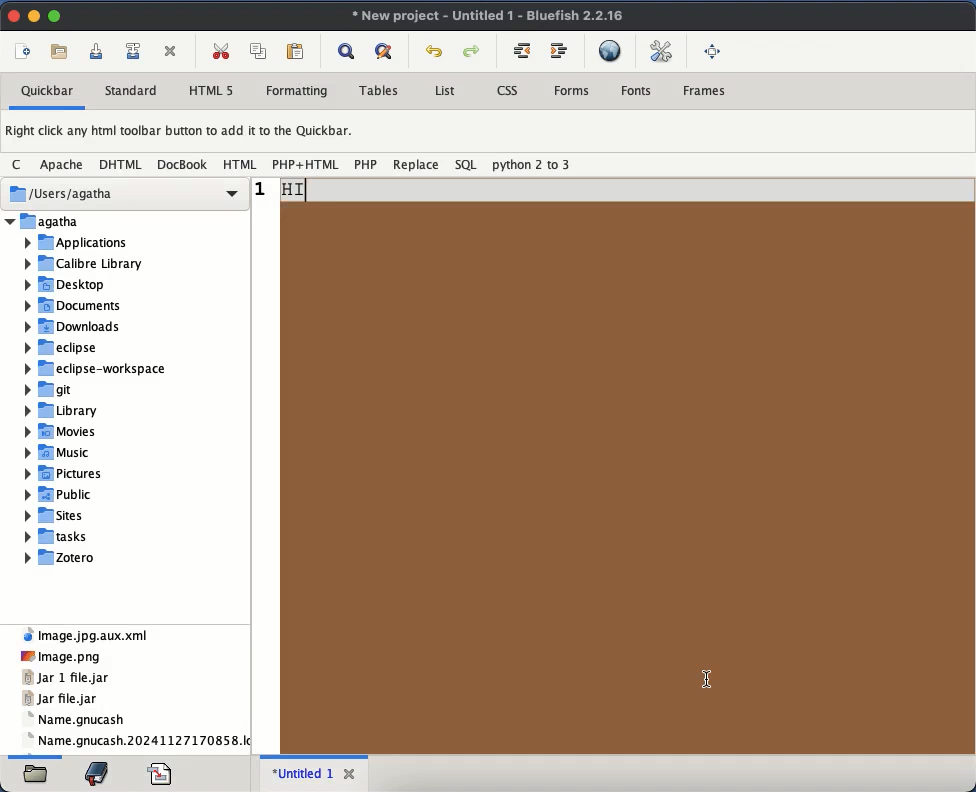 The image size is (976, 792). I want to click on users Agatha, so click(126, 194).